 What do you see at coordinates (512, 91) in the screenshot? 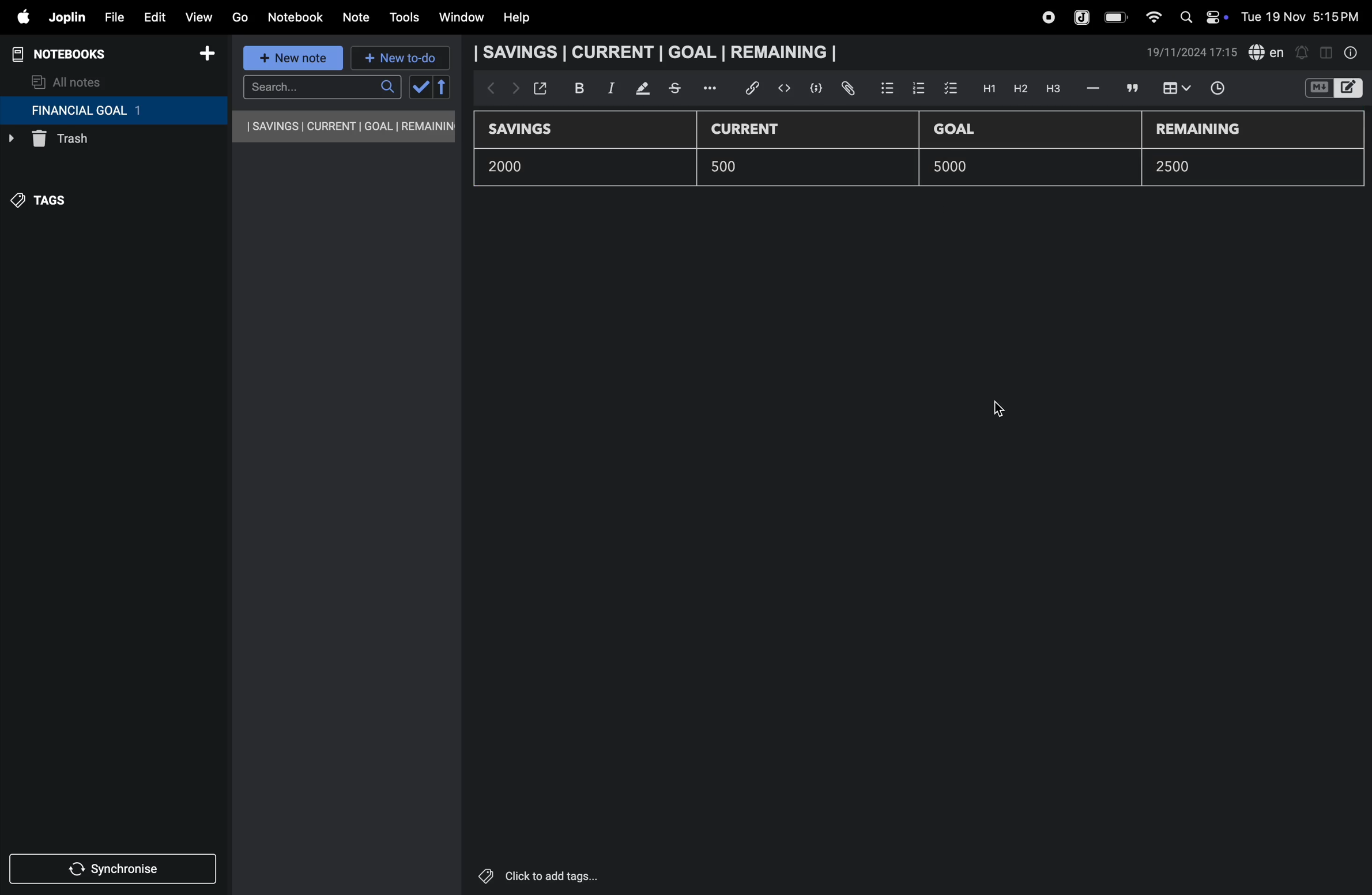
I see `forward` at bounding box center [512, 91].